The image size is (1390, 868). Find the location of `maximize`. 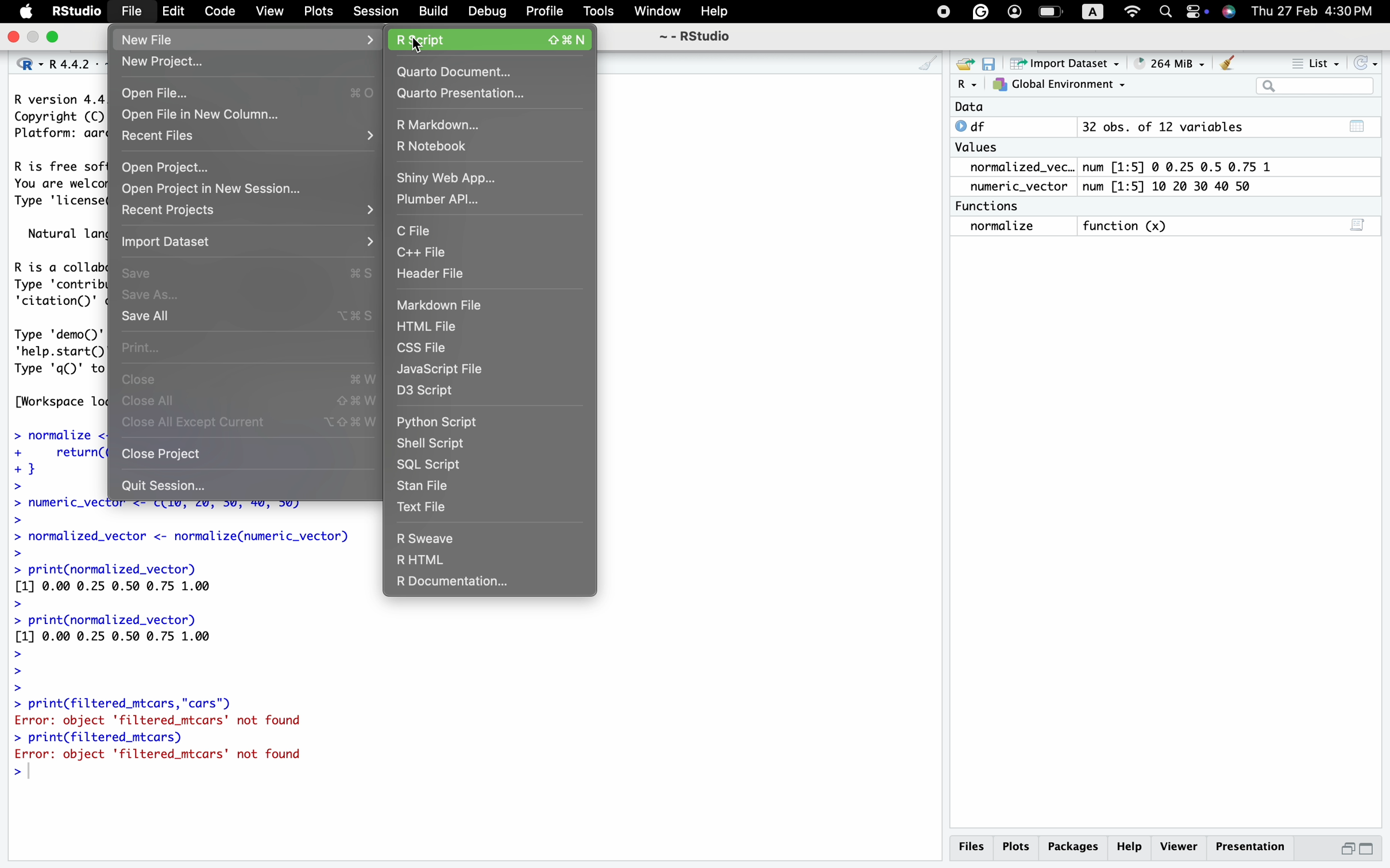

maximize is located at coordinates (1374, 850).